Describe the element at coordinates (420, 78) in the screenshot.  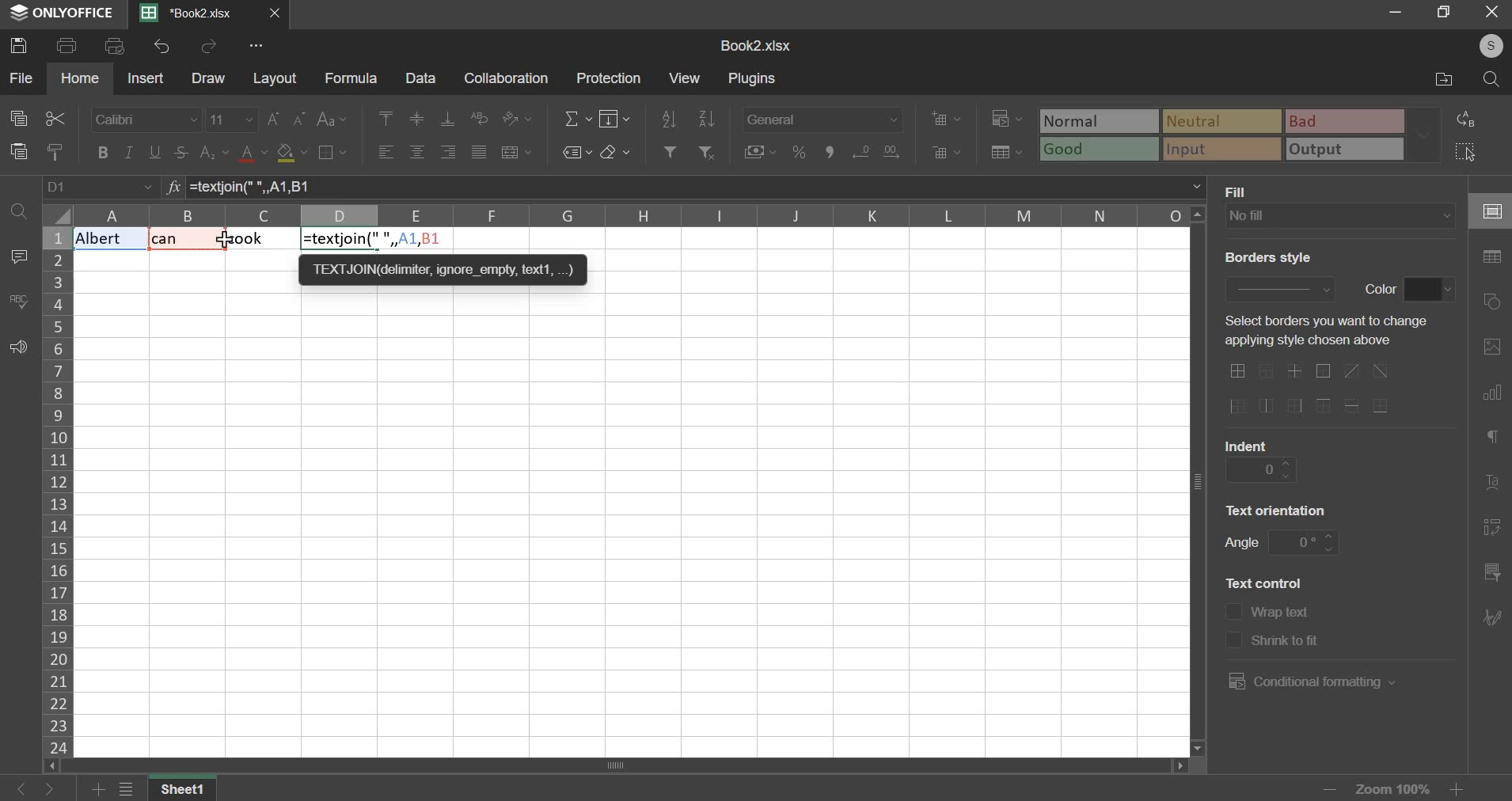
I see `data` at that location.